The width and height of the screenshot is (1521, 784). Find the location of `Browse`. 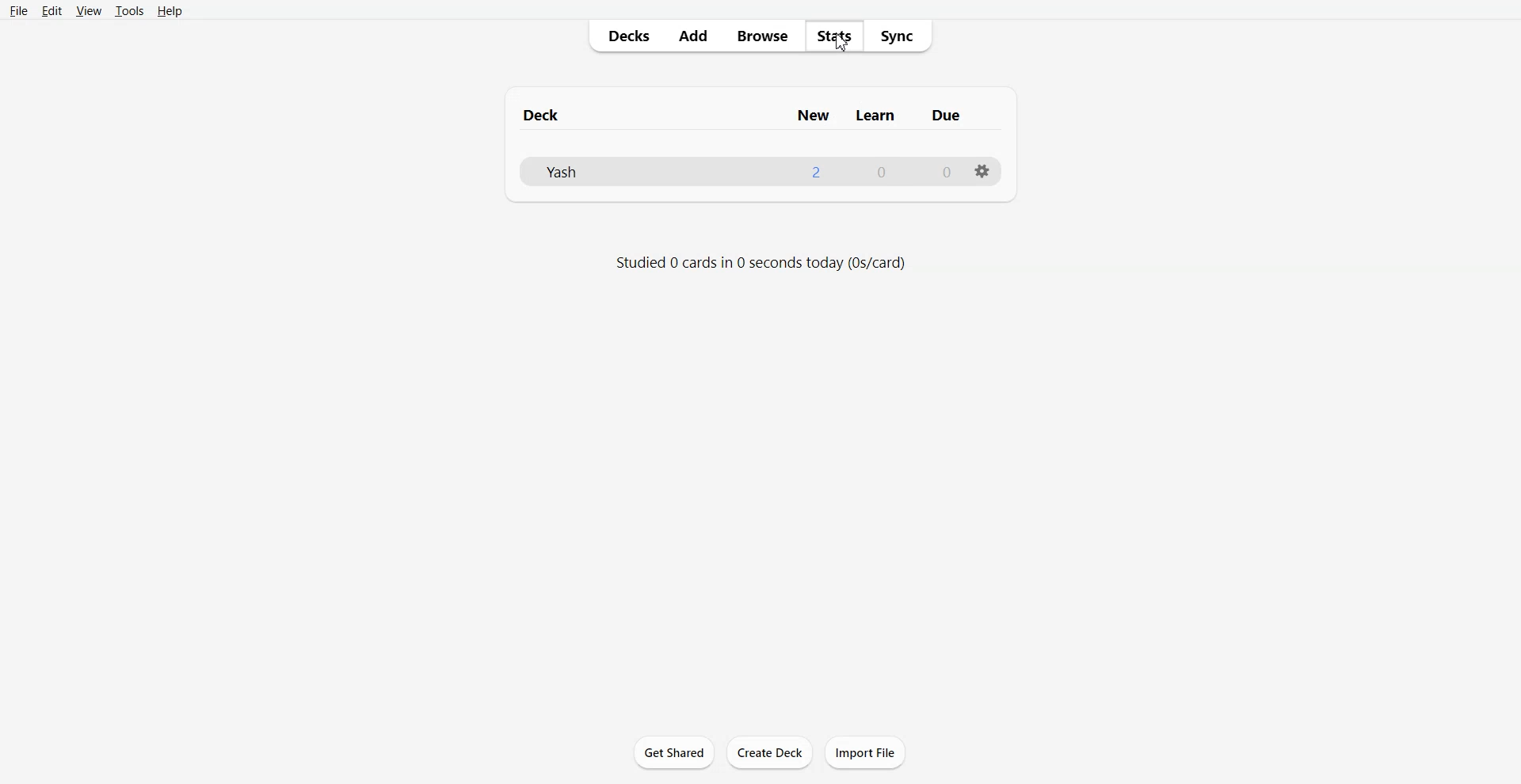

Browse is located at coordinates (768, 36).